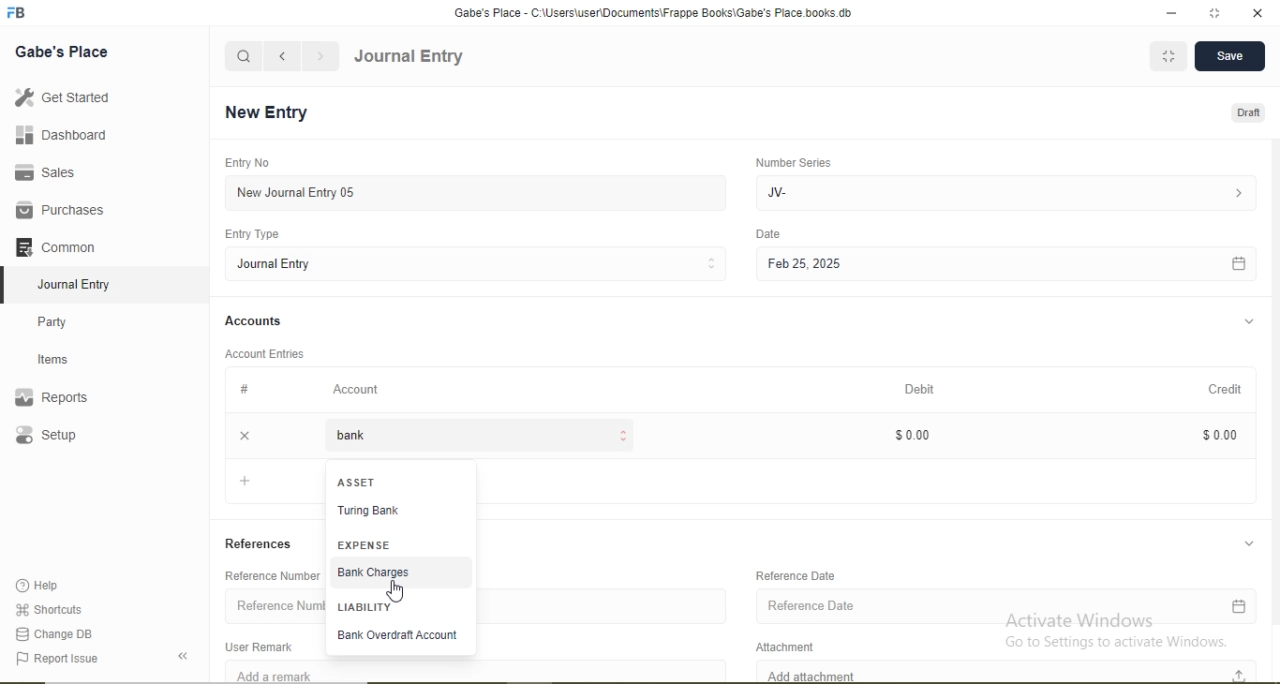 The height and width of the screenshot is (684, 1280). What do you see at coordinates (254, 234) in the screenshot?
I see `Entry Type` at bounding box center [254, 234].